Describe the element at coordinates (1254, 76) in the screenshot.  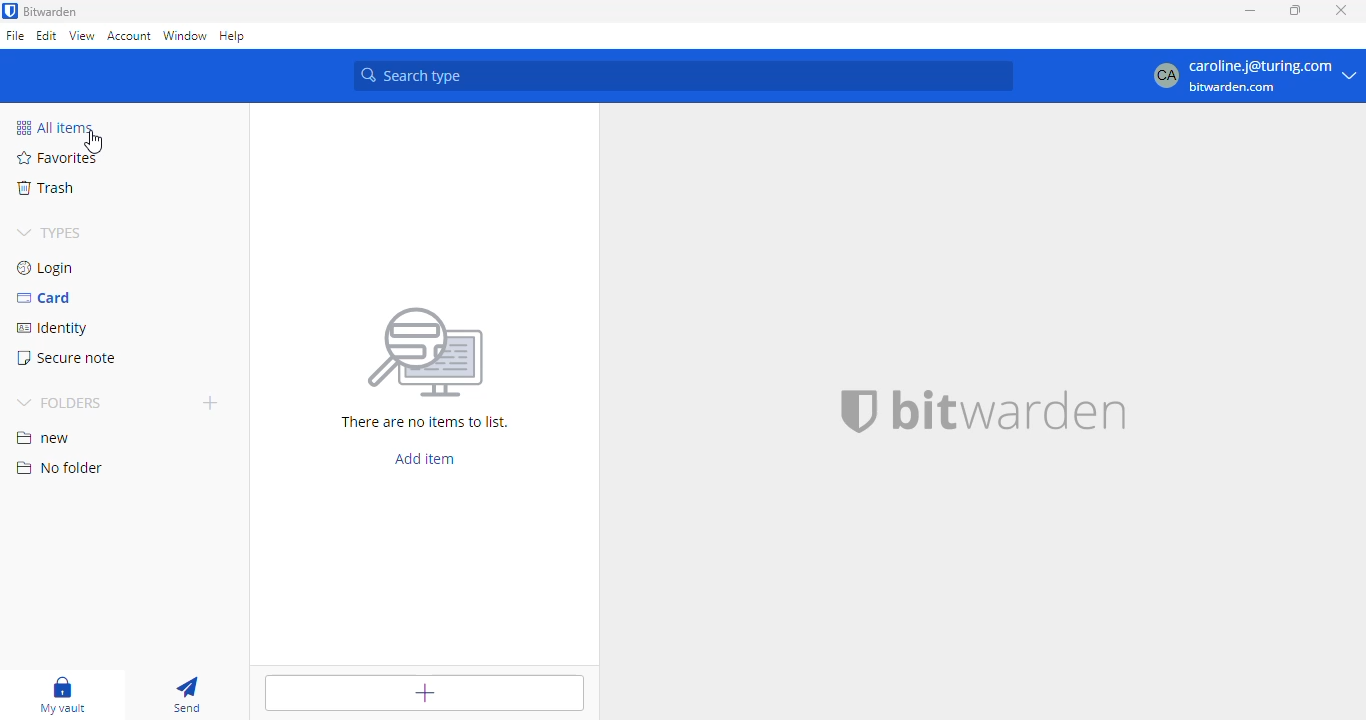
I see `CA caroline.j@turing.com     bitwarden.com` at that location.